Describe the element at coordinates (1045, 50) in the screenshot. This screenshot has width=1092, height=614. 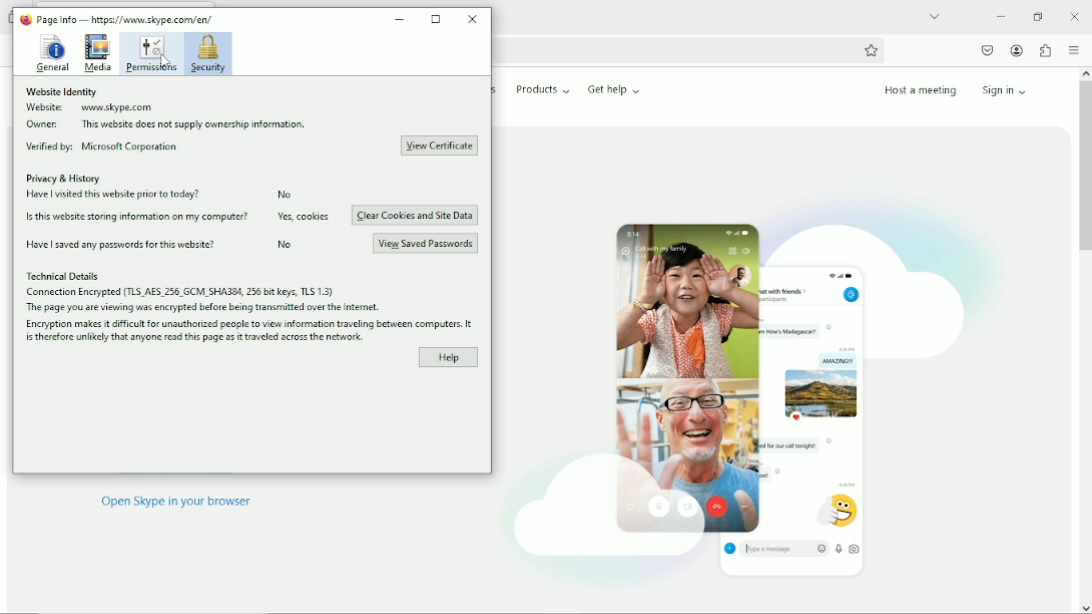
I see `Extensions` at that location.